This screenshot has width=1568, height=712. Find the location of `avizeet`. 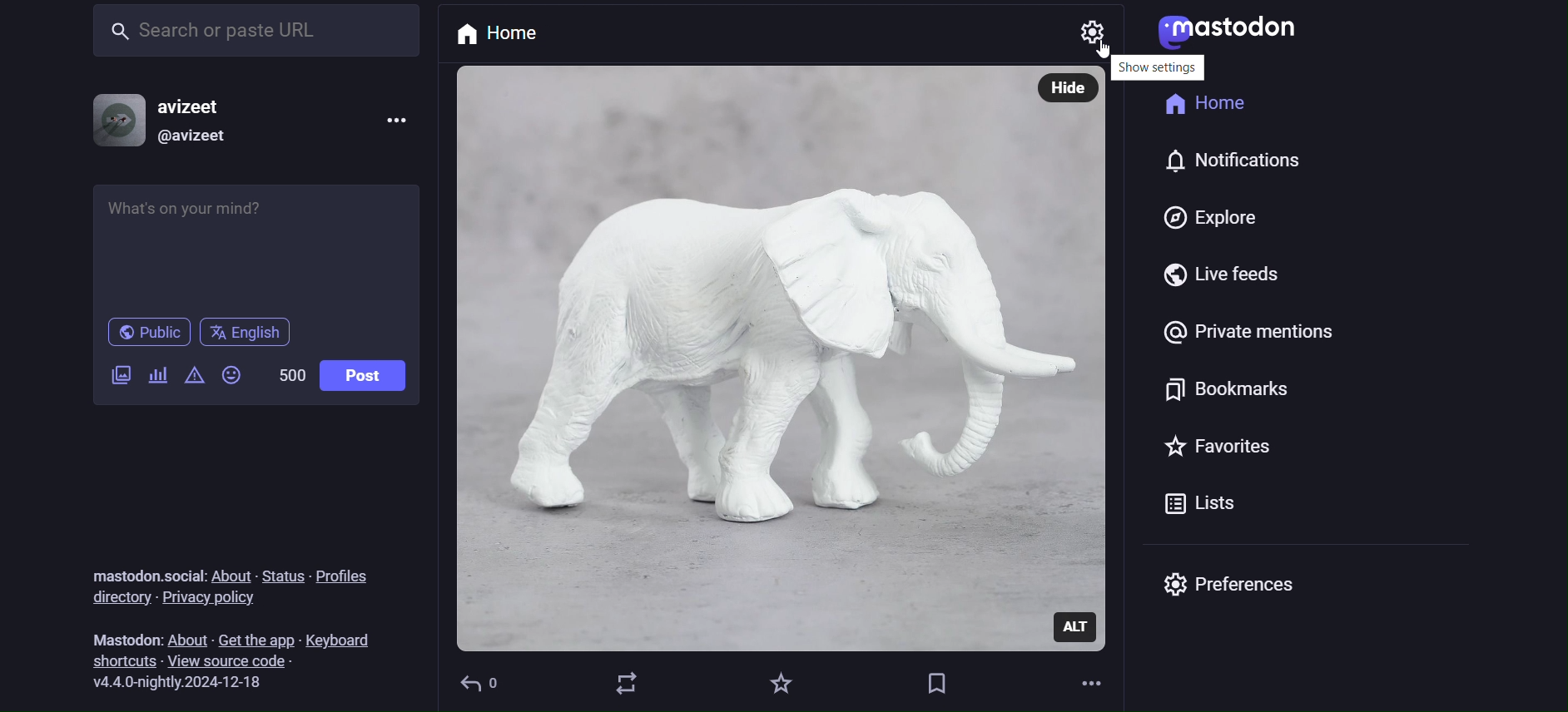

avizeet is located at coordinates (201, 106).